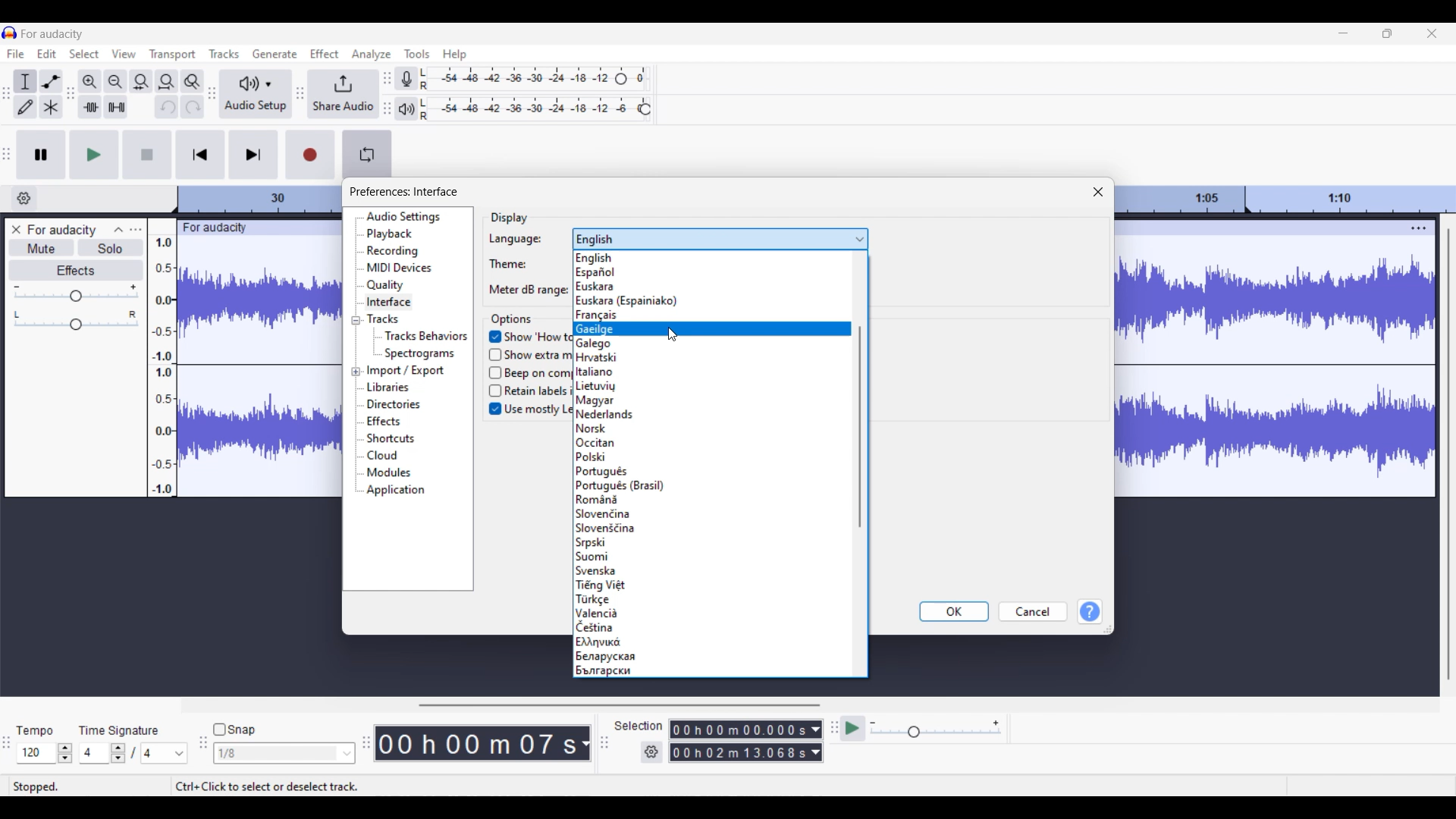 This screenshot has height=819, width=1456. What do you see at coordinates (404, 192) in the screenshot?
I see `preferences interface` at bounding box center [404, 192].